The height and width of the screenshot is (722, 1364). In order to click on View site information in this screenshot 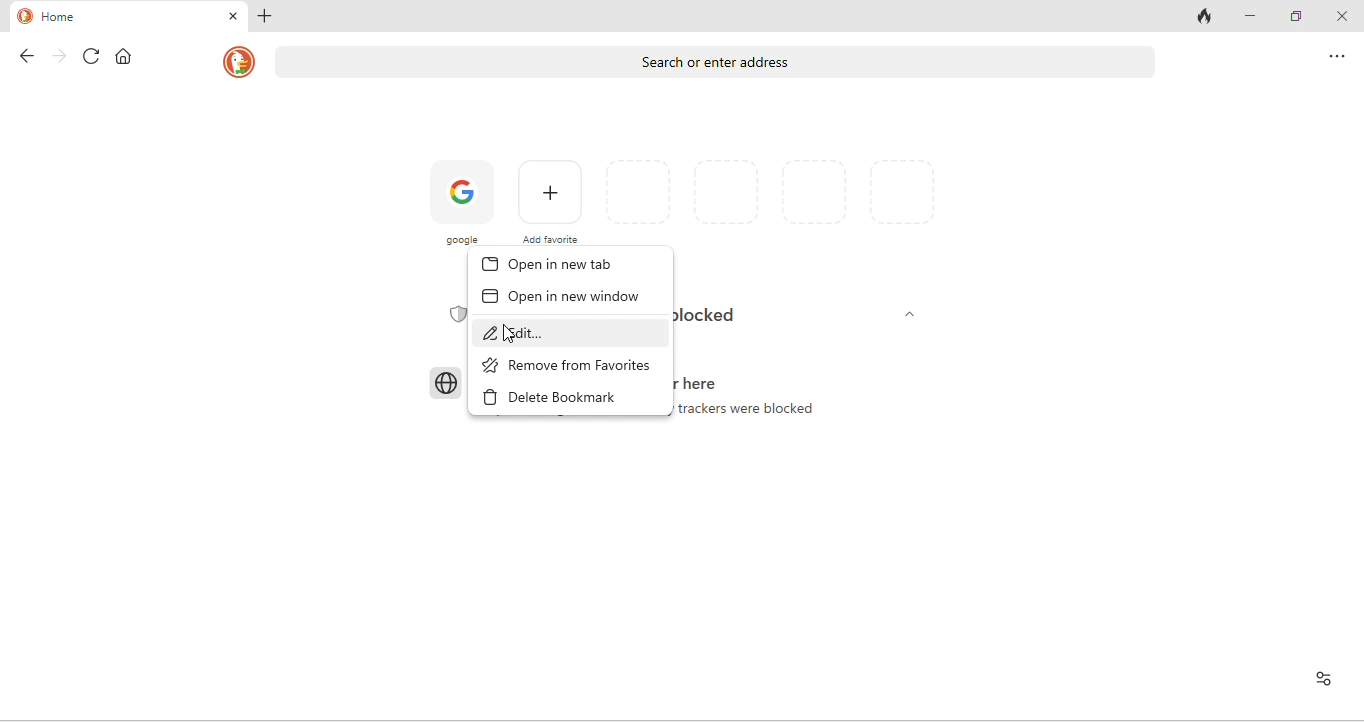, I will do `click(1325, 679)`.